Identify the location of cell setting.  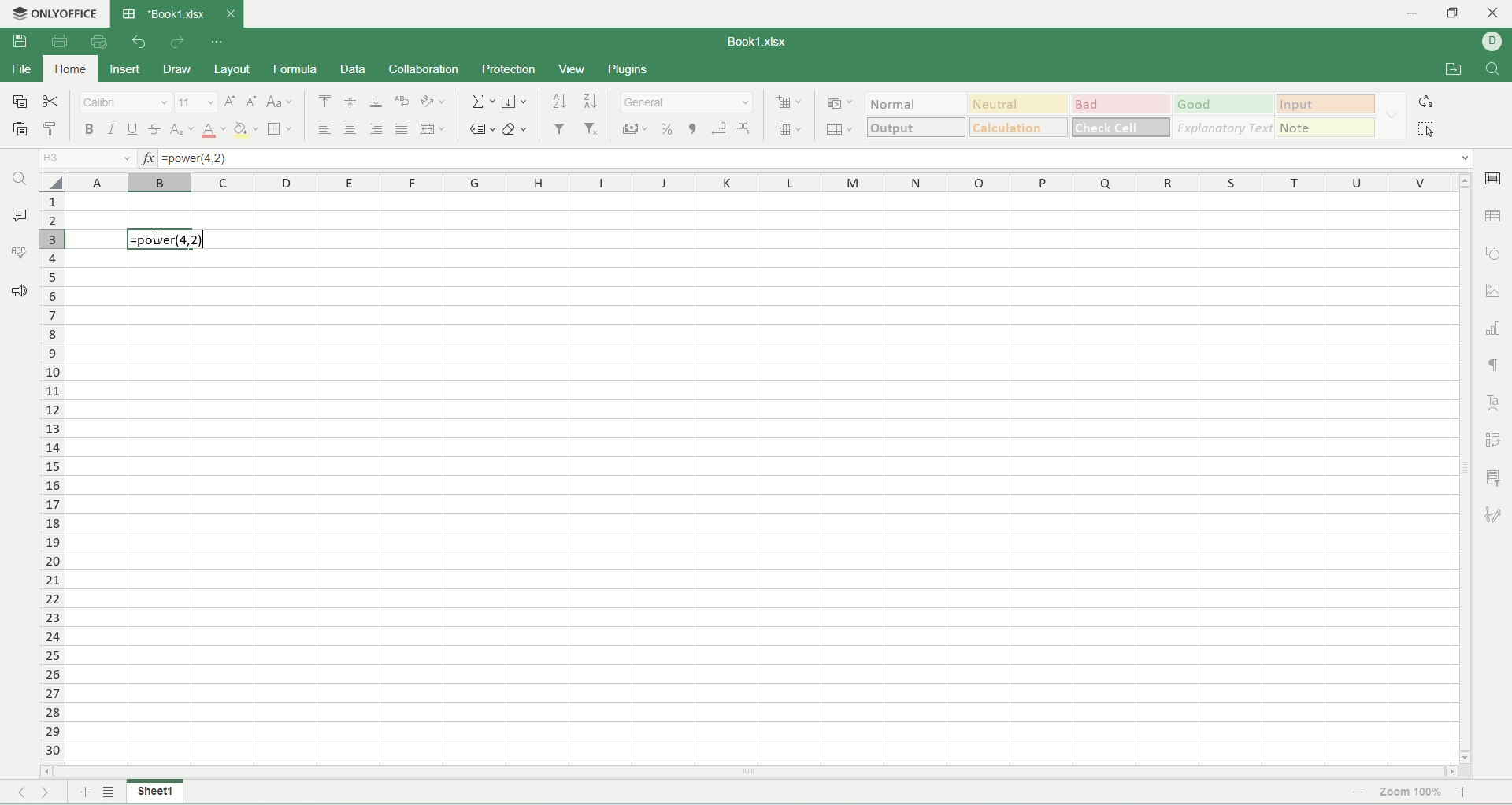
(1493, 180).